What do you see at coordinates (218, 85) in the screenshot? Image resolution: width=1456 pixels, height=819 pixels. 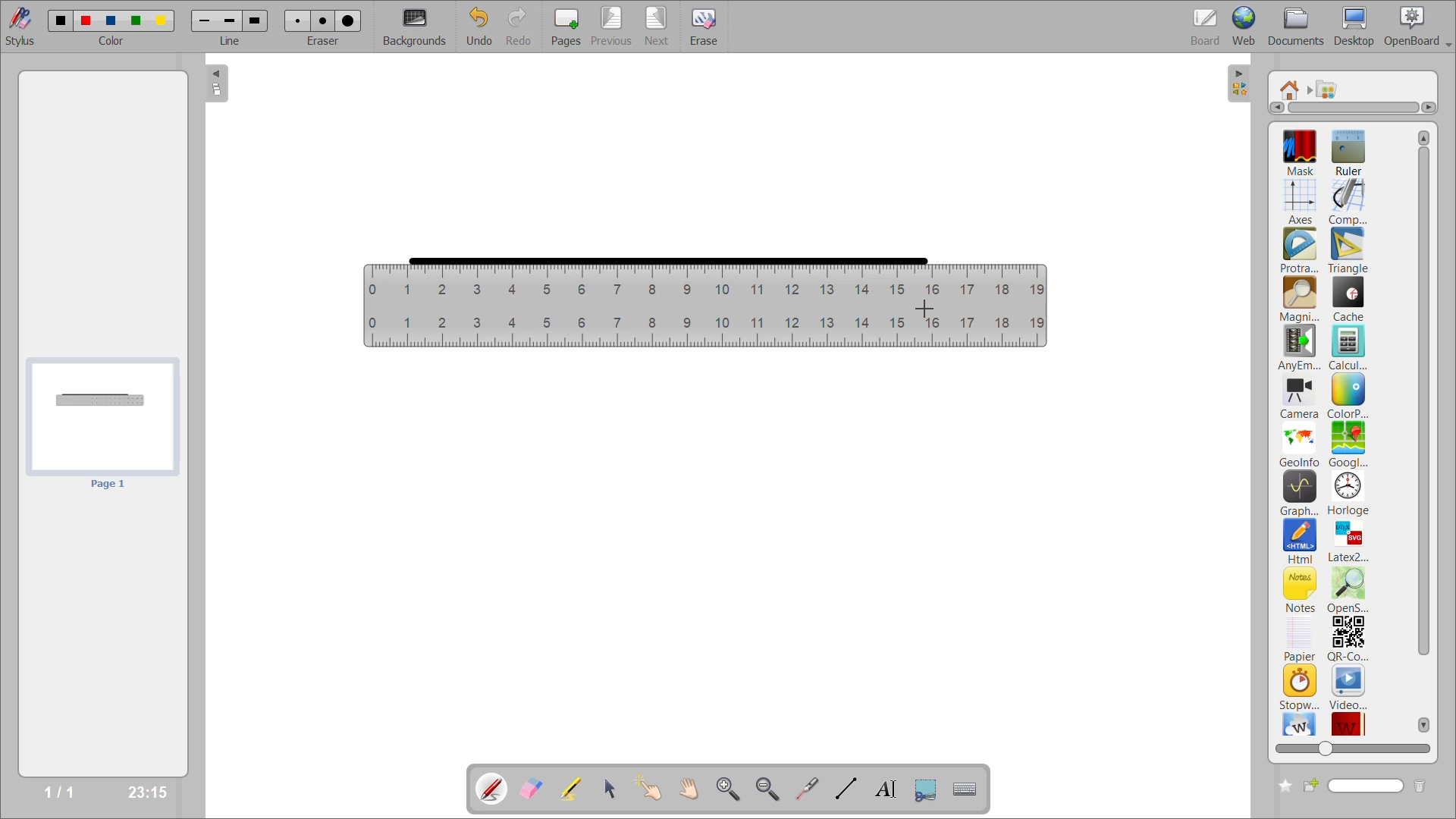 I see `collapse` at bounding box center [218, 85].